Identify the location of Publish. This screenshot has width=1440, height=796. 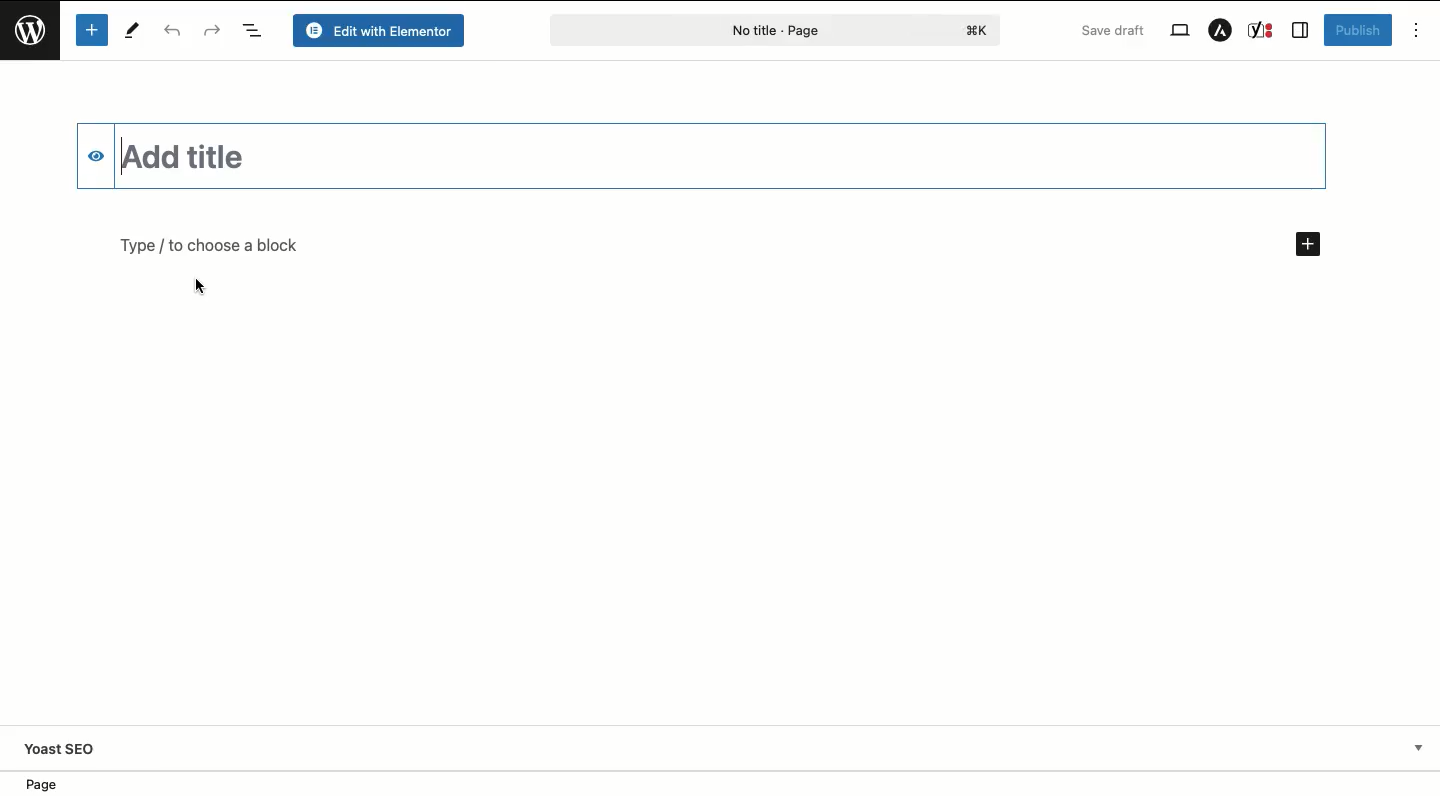
(1357, 30).